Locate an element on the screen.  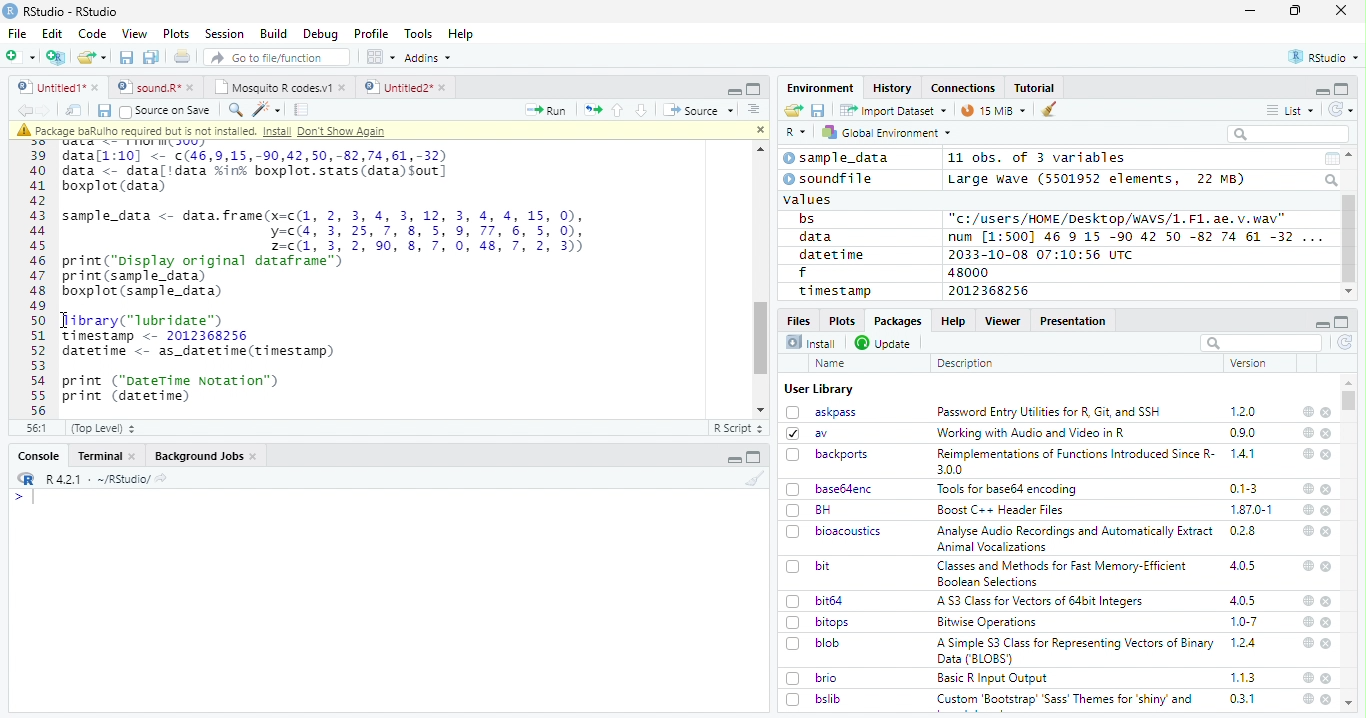
askpass is located at coordinates (820, 412).